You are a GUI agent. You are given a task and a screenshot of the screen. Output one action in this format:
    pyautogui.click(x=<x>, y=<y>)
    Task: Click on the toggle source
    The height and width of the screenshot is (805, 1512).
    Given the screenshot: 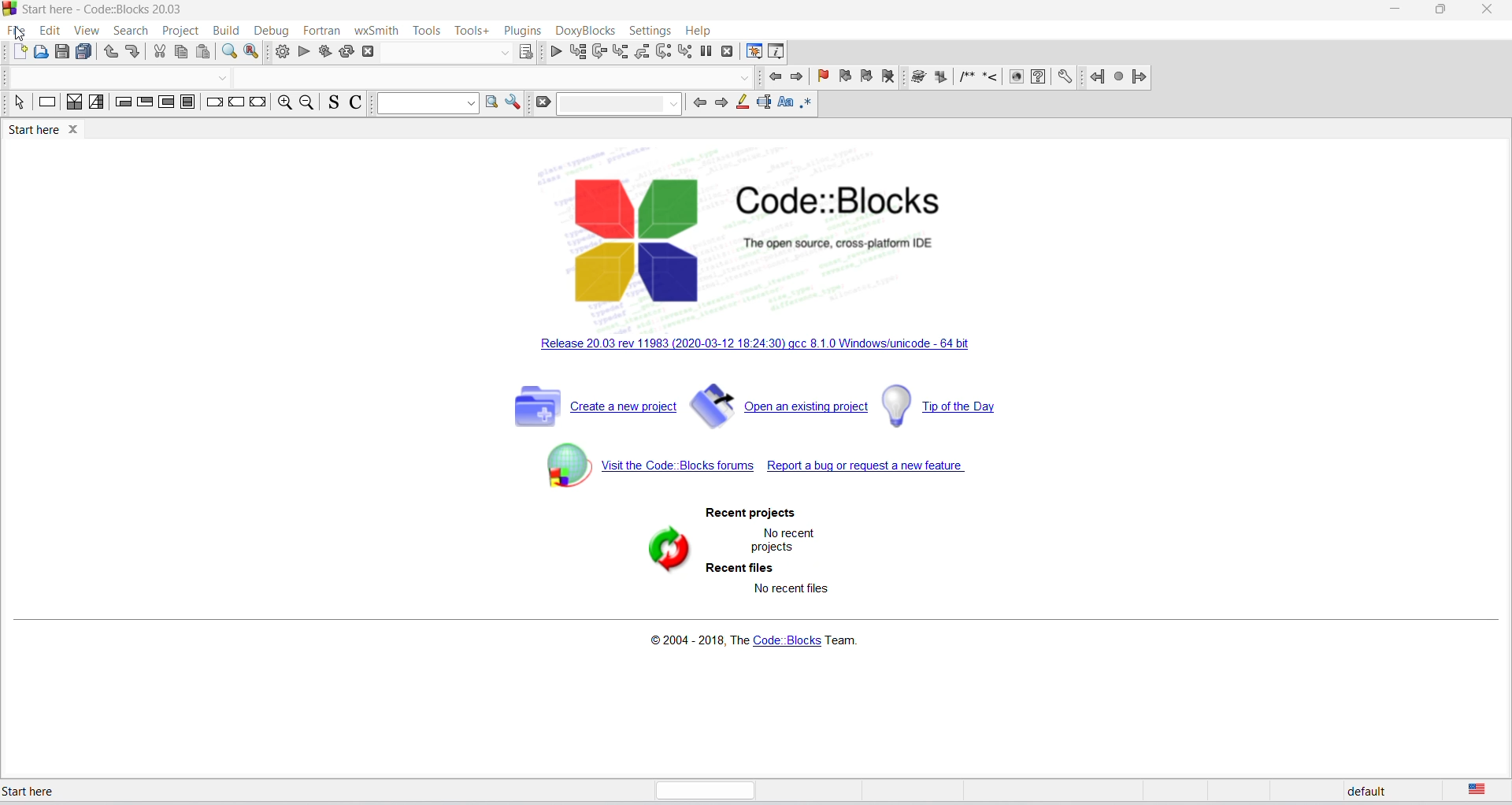 What is the action you would take?
    pyautogui.click(x=332, y=105)
    